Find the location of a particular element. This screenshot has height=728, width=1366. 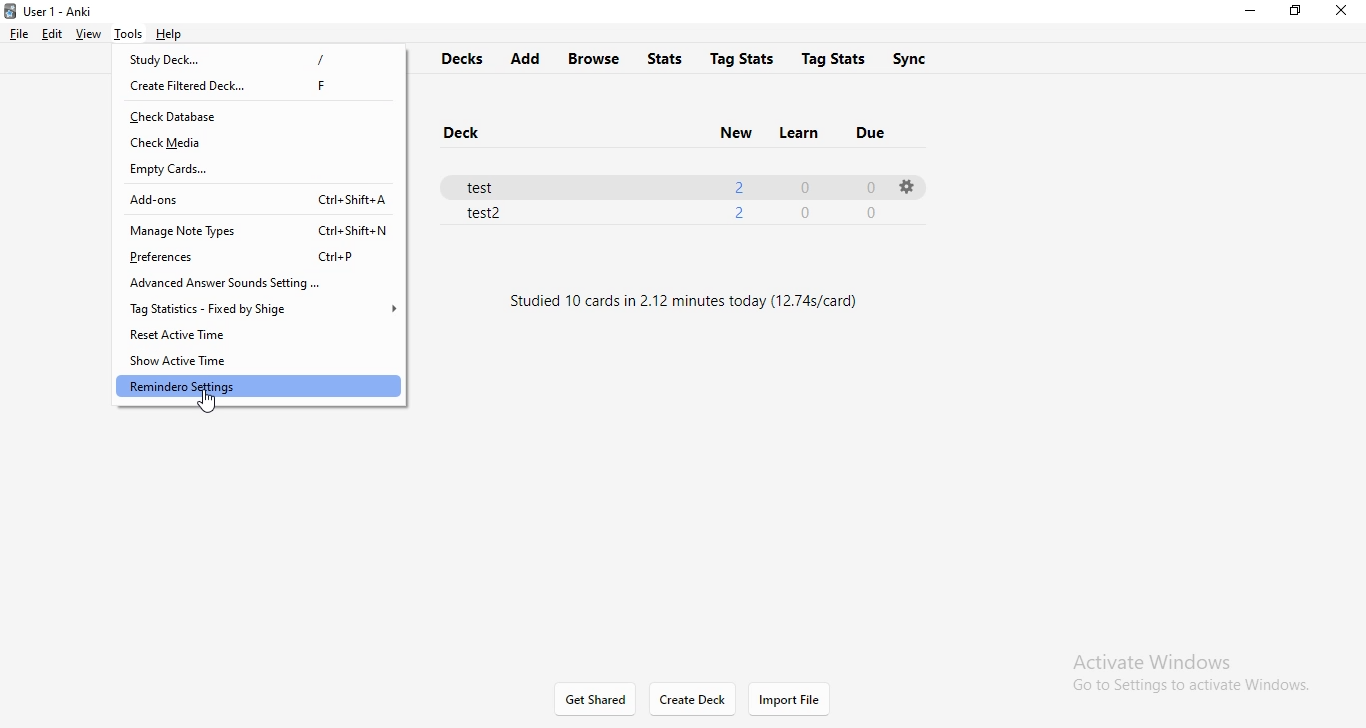

check media is located at coordinates (227, 142).